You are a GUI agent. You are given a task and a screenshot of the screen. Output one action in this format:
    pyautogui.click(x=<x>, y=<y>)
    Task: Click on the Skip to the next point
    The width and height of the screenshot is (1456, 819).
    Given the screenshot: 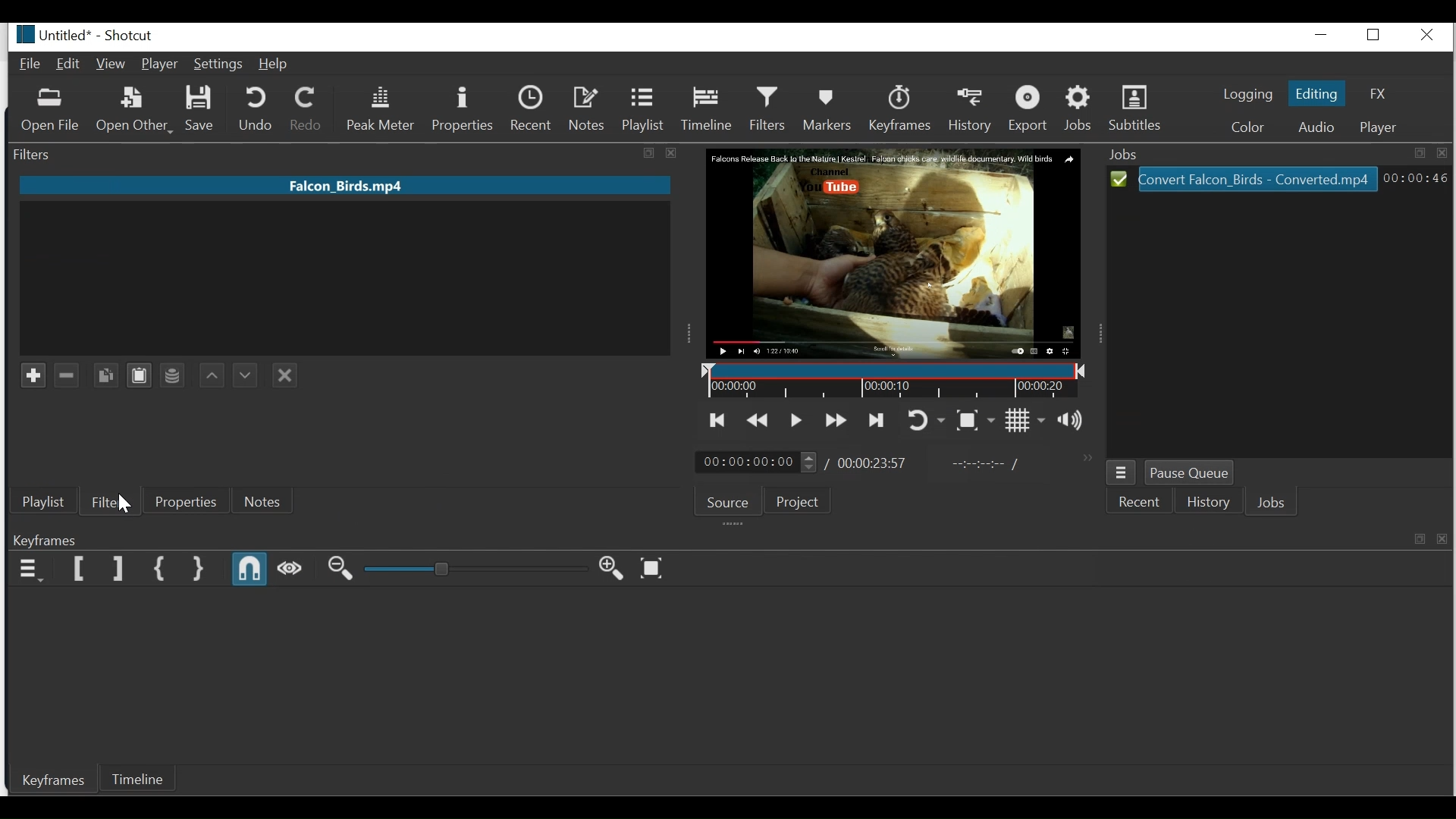 What is the action you would take?
    pyautogui.click(x=876, y=422)
    